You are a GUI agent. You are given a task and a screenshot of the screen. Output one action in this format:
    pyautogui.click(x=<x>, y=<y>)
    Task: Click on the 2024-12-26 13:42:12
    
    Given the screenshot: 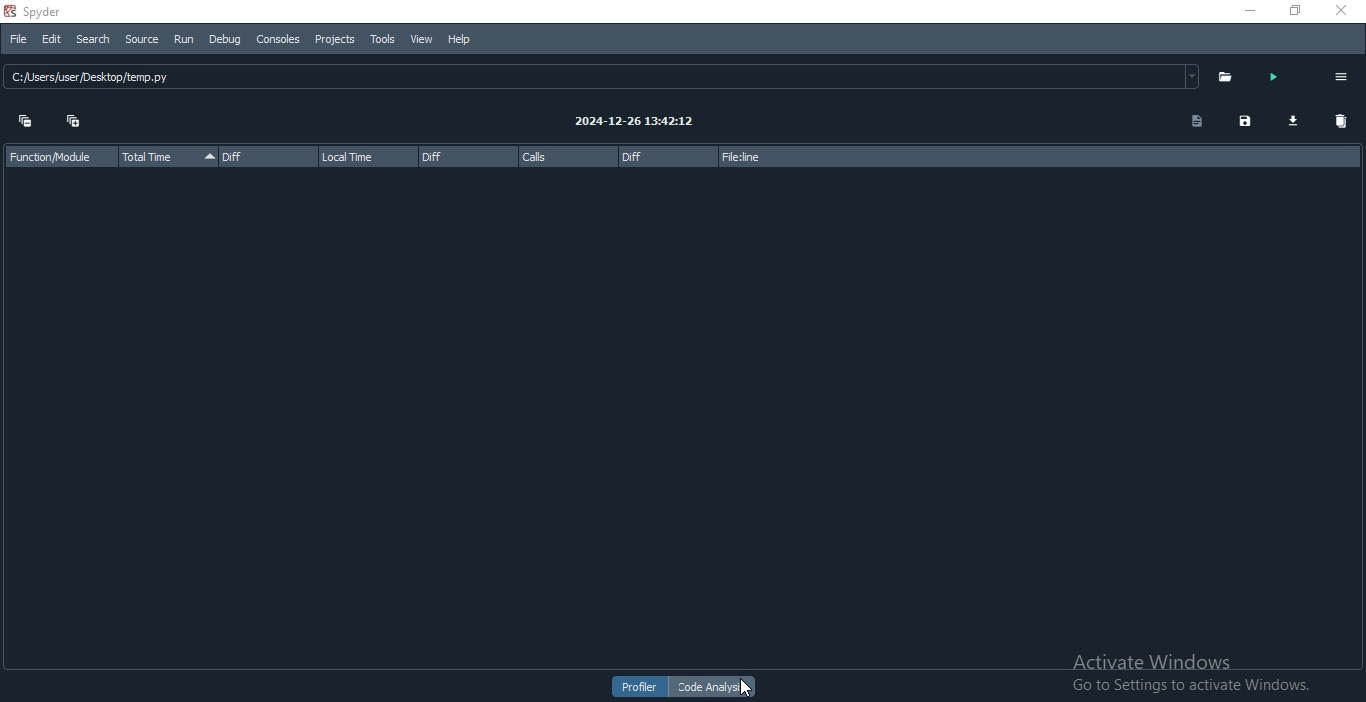 What is the action you would take?
    pyautogui.click(x=648, y=119)
    